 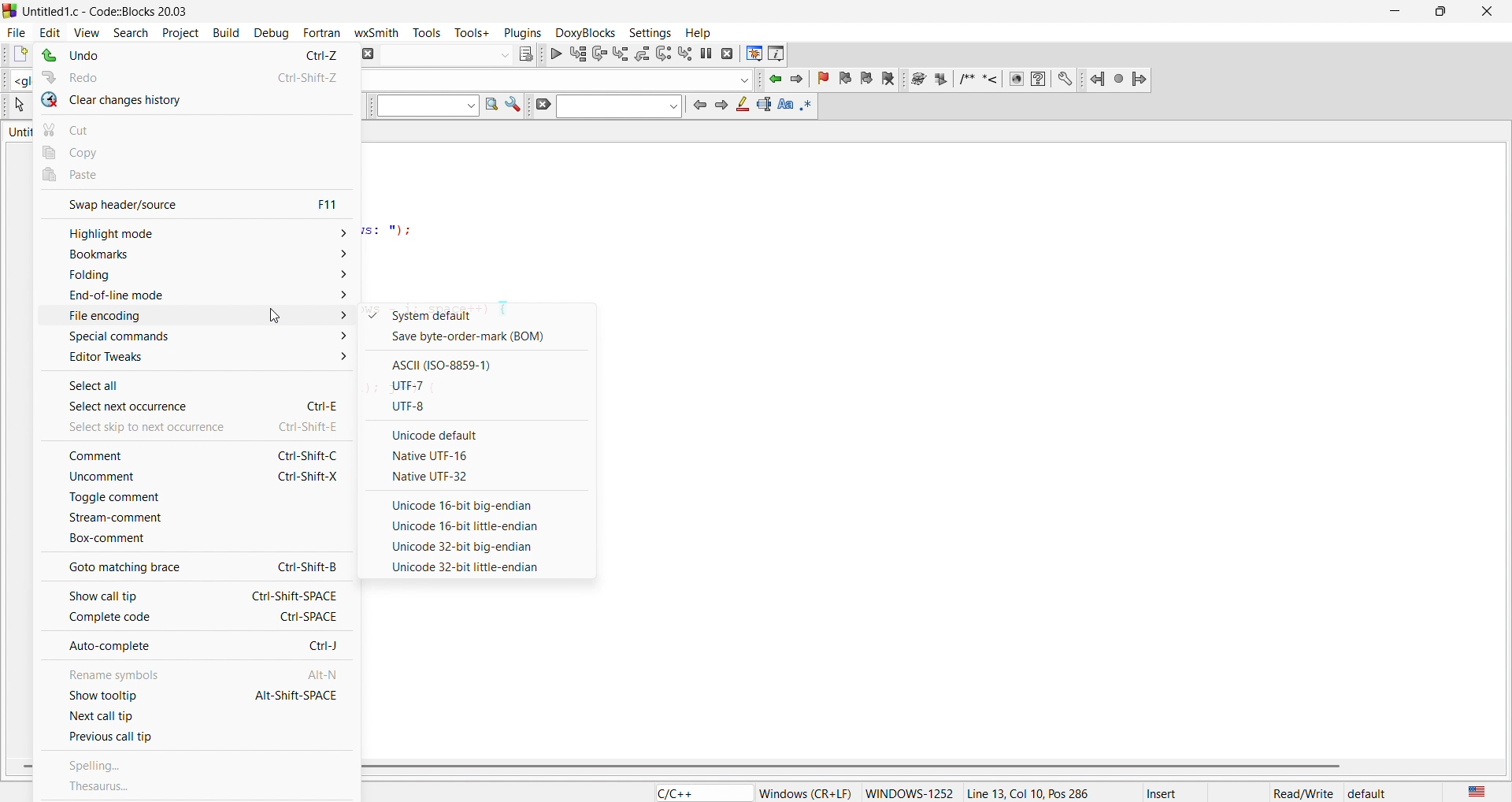 I want to click on minimize, so click(x=1394, y=10).